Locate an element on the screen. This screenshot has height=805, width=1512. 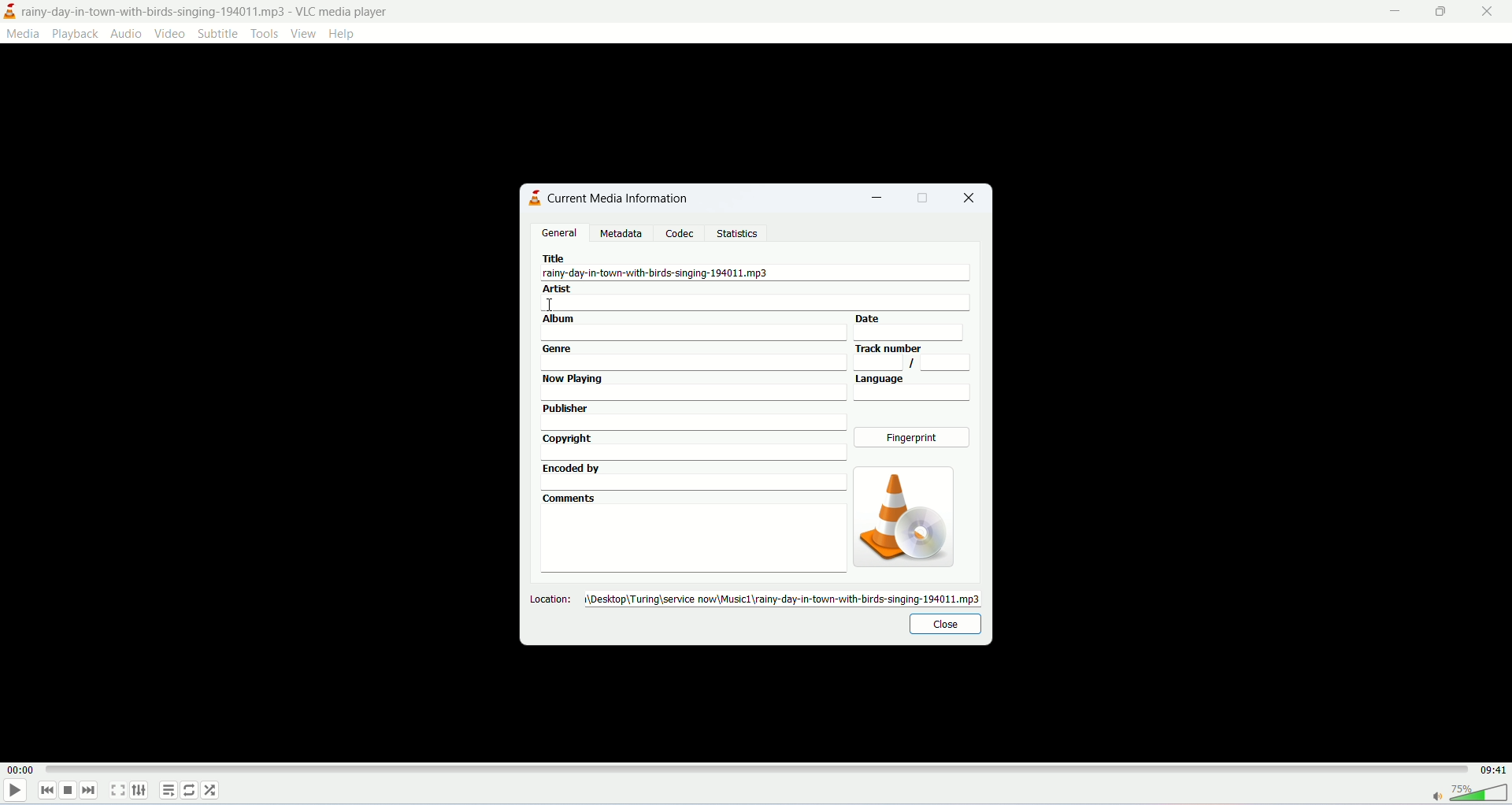
maximize is located at coordinates (924, 198).